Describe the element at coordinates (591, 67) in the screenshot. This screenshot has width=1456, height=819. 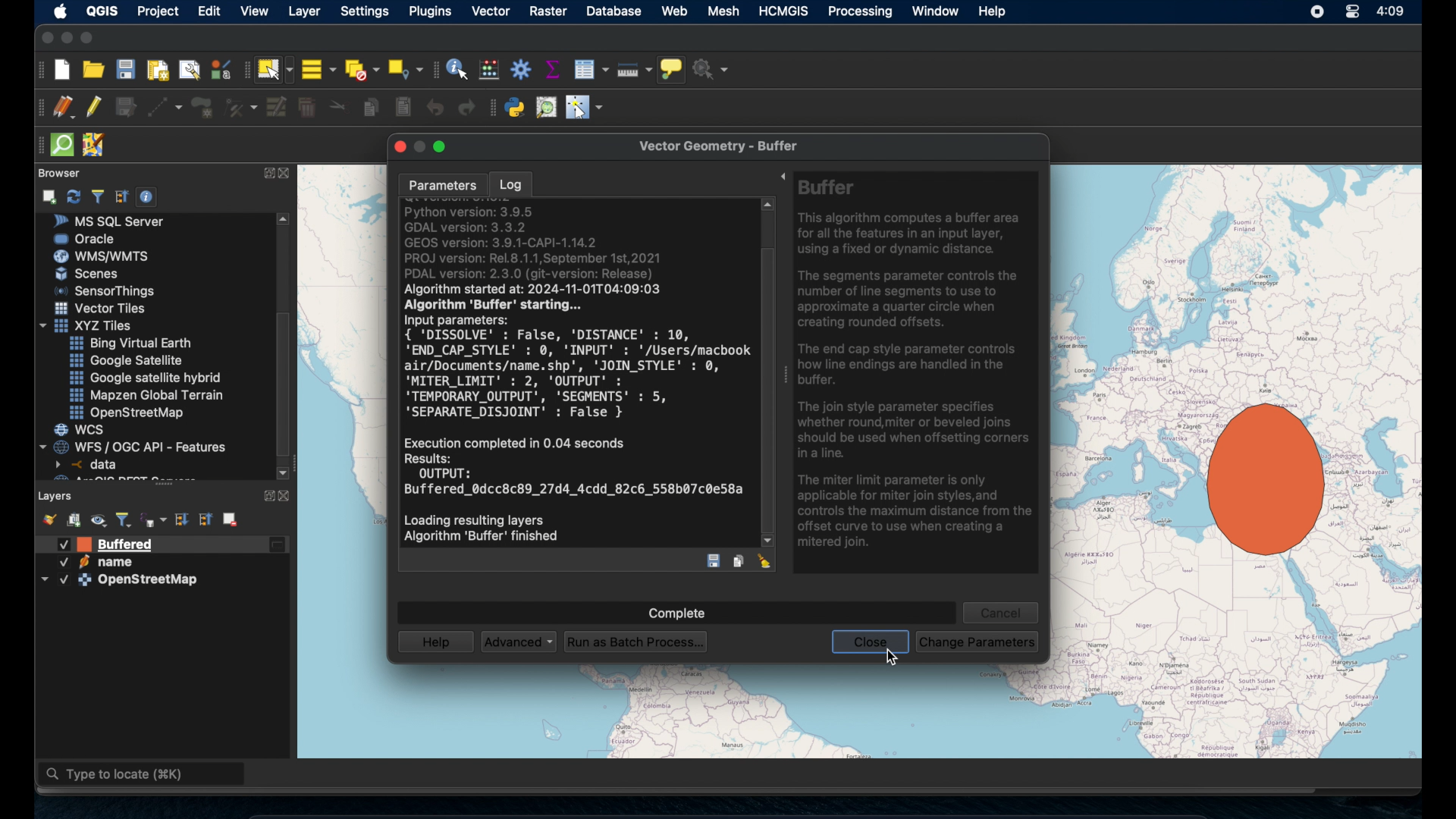
I see `open attributes table` at that location.